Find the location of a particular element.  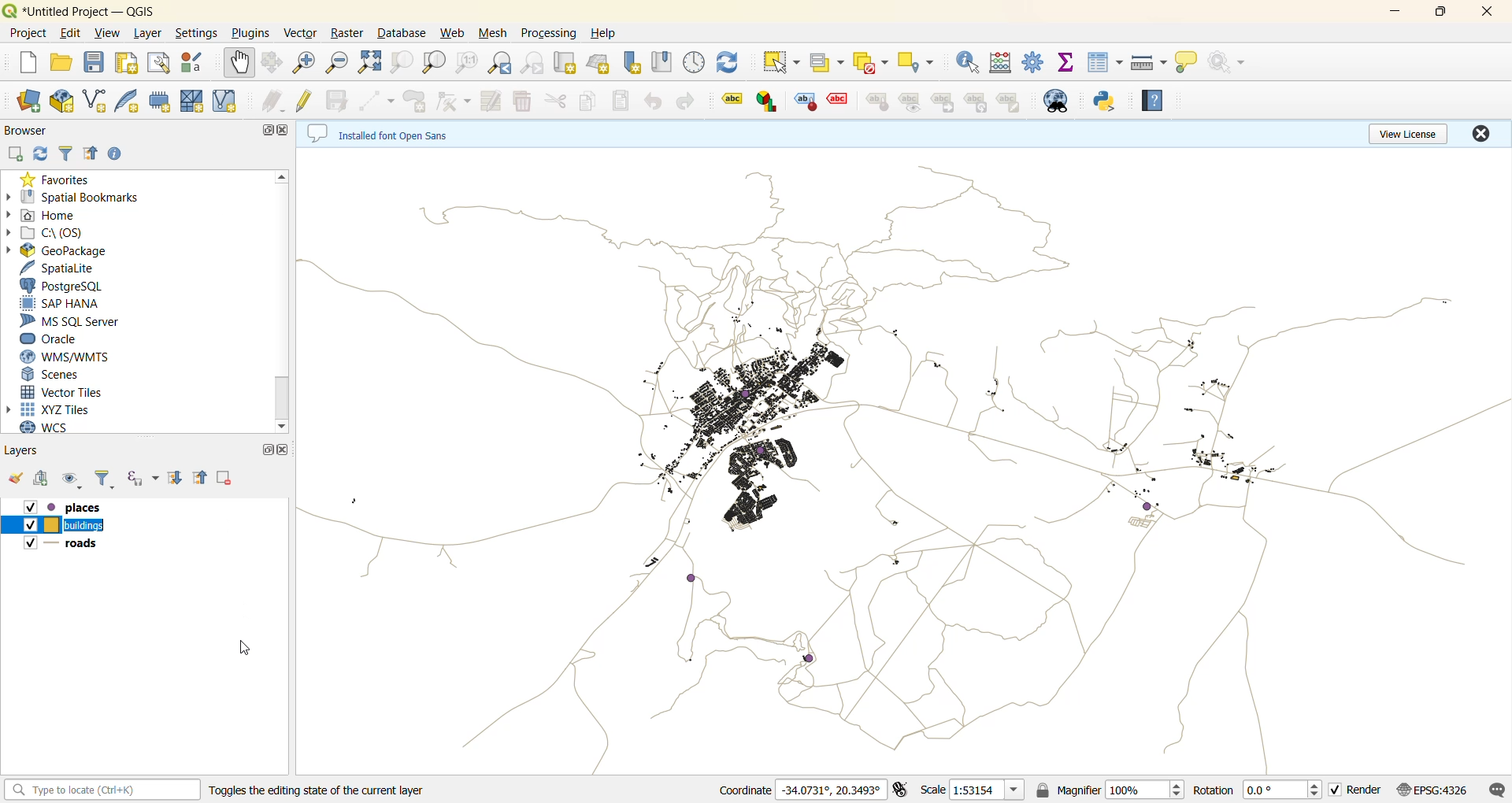

zoom last is located at coordinates (503, 63).